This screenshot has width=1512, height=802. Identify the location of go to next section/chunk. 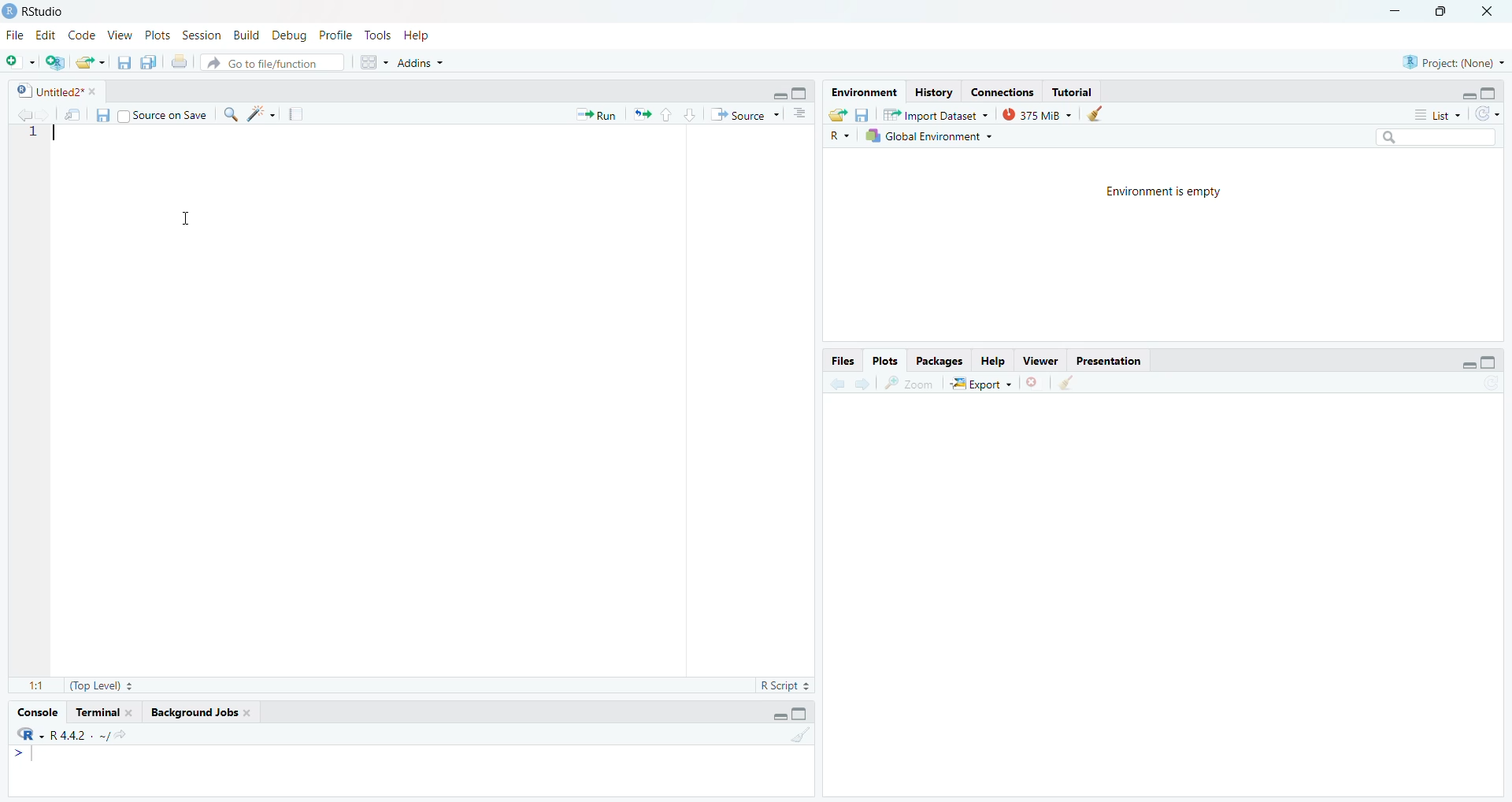
(689, 114).